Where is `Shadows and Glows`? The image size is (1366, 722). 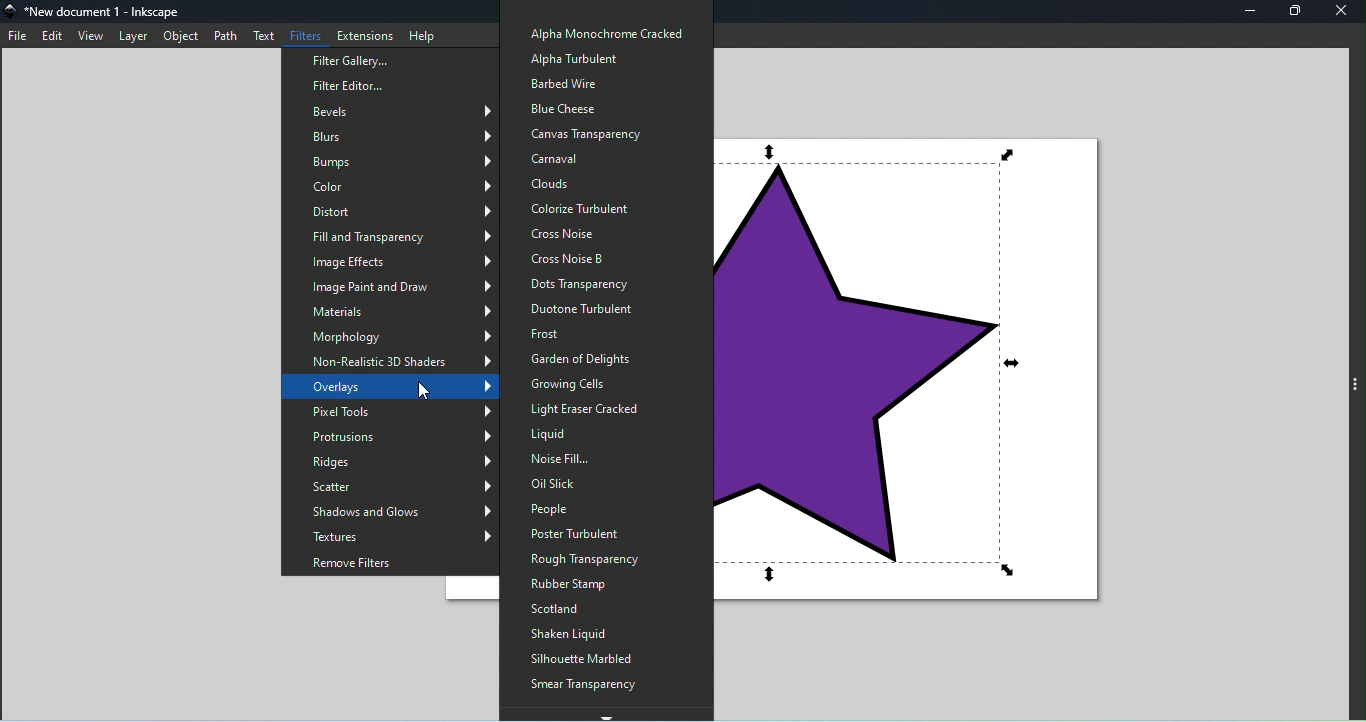
Shadows and Glows is located at coordinates (397, 511).